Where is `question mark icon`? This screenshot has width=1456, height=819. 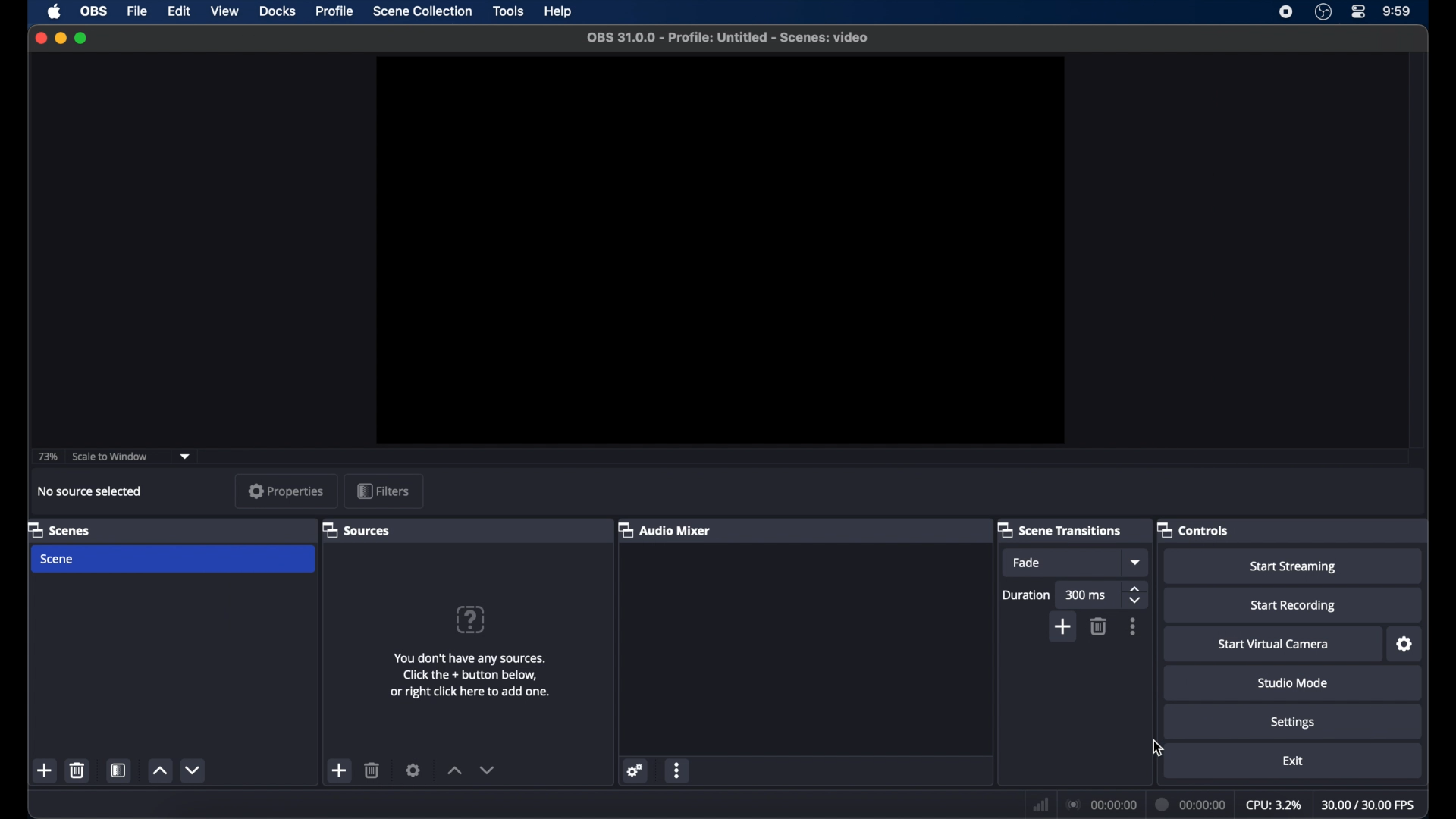
question mark icon is located at coordinates (472, 619).